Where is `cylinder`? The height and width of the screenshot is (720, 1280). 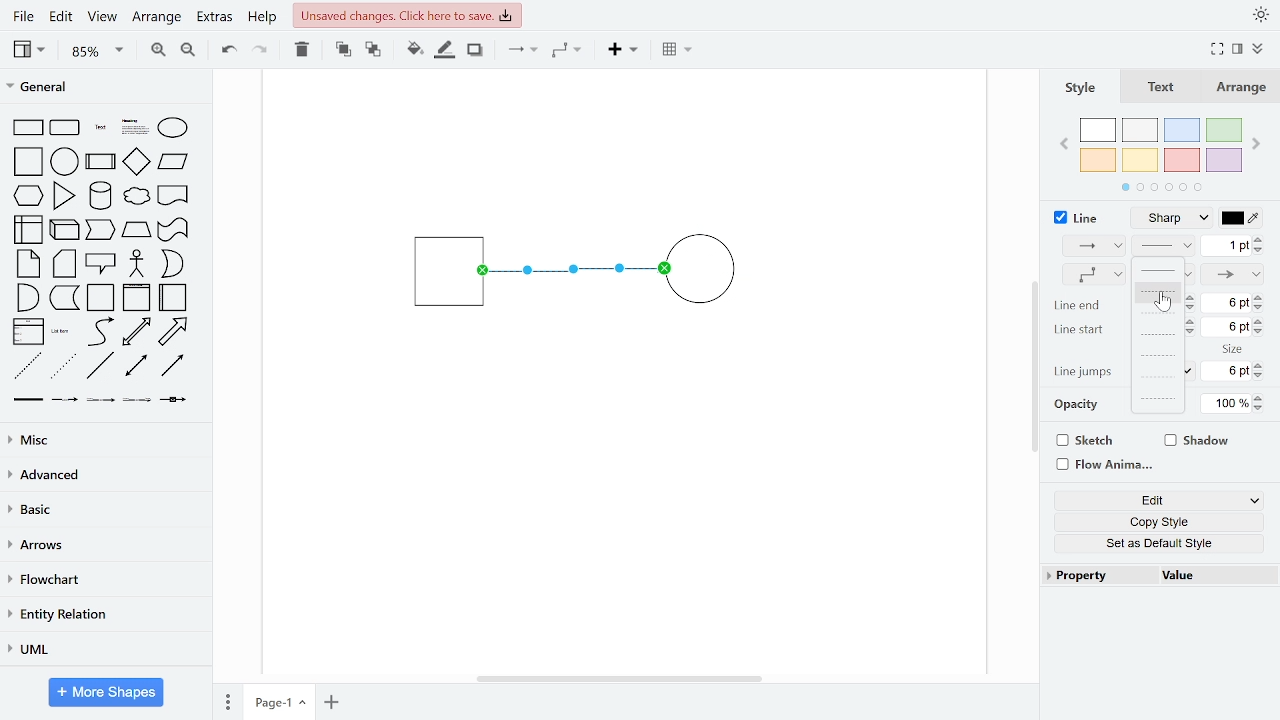
cylinder is located at coordinates (102, 197).